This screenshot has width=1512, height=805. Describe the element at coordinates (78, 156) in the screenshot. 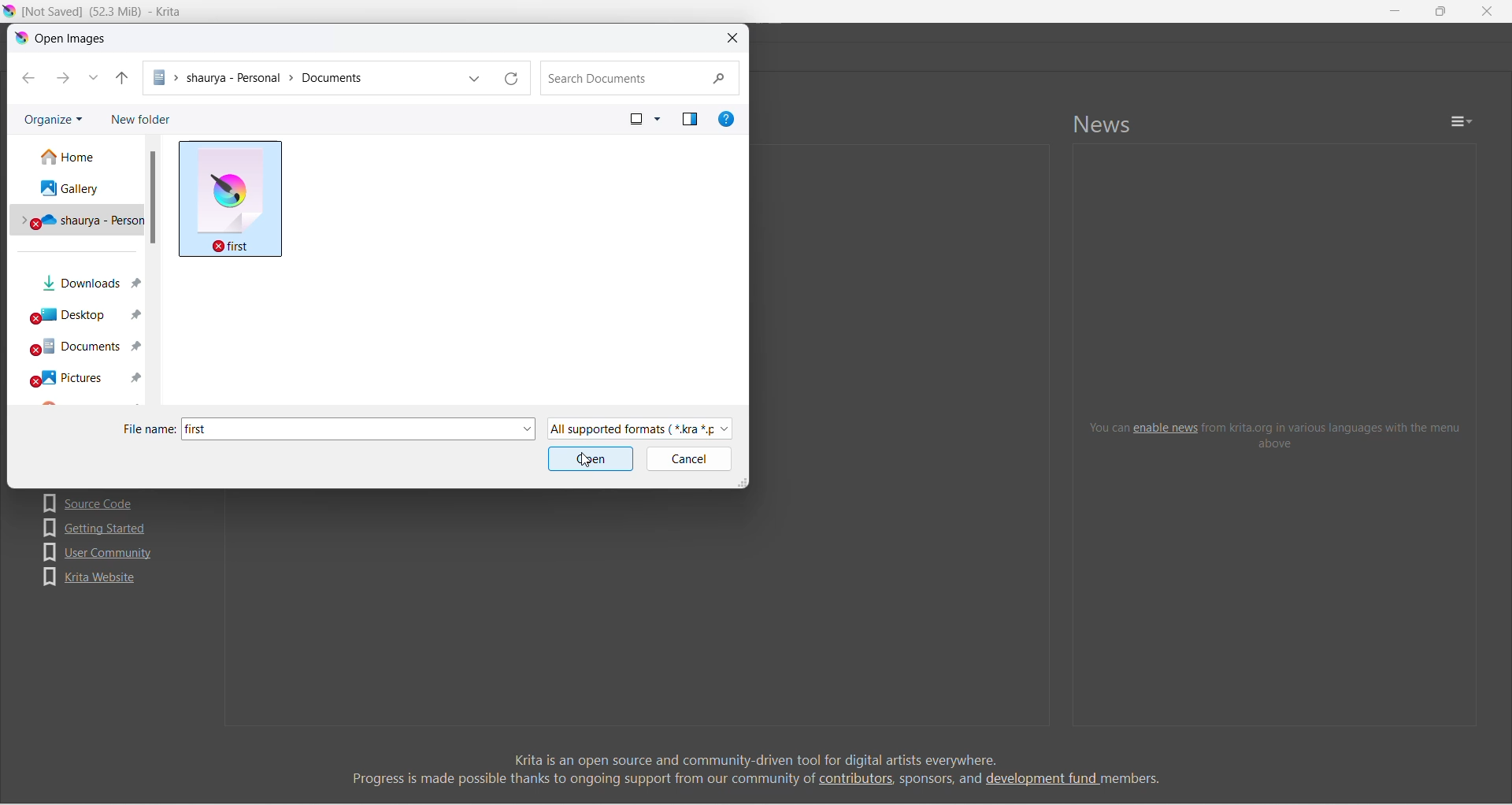

I see `home` at that location.